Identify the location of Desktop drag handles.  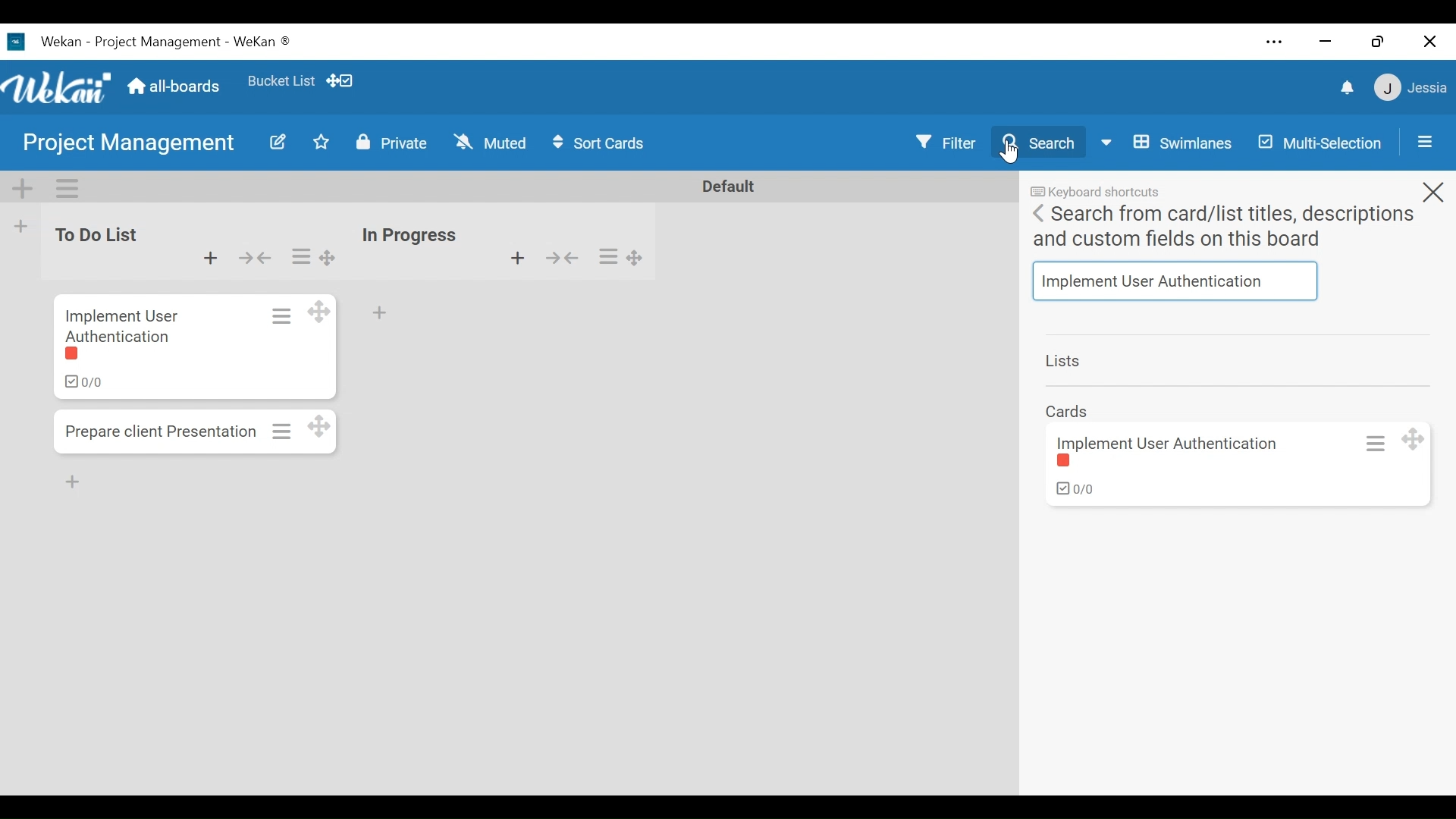
(322, 312).